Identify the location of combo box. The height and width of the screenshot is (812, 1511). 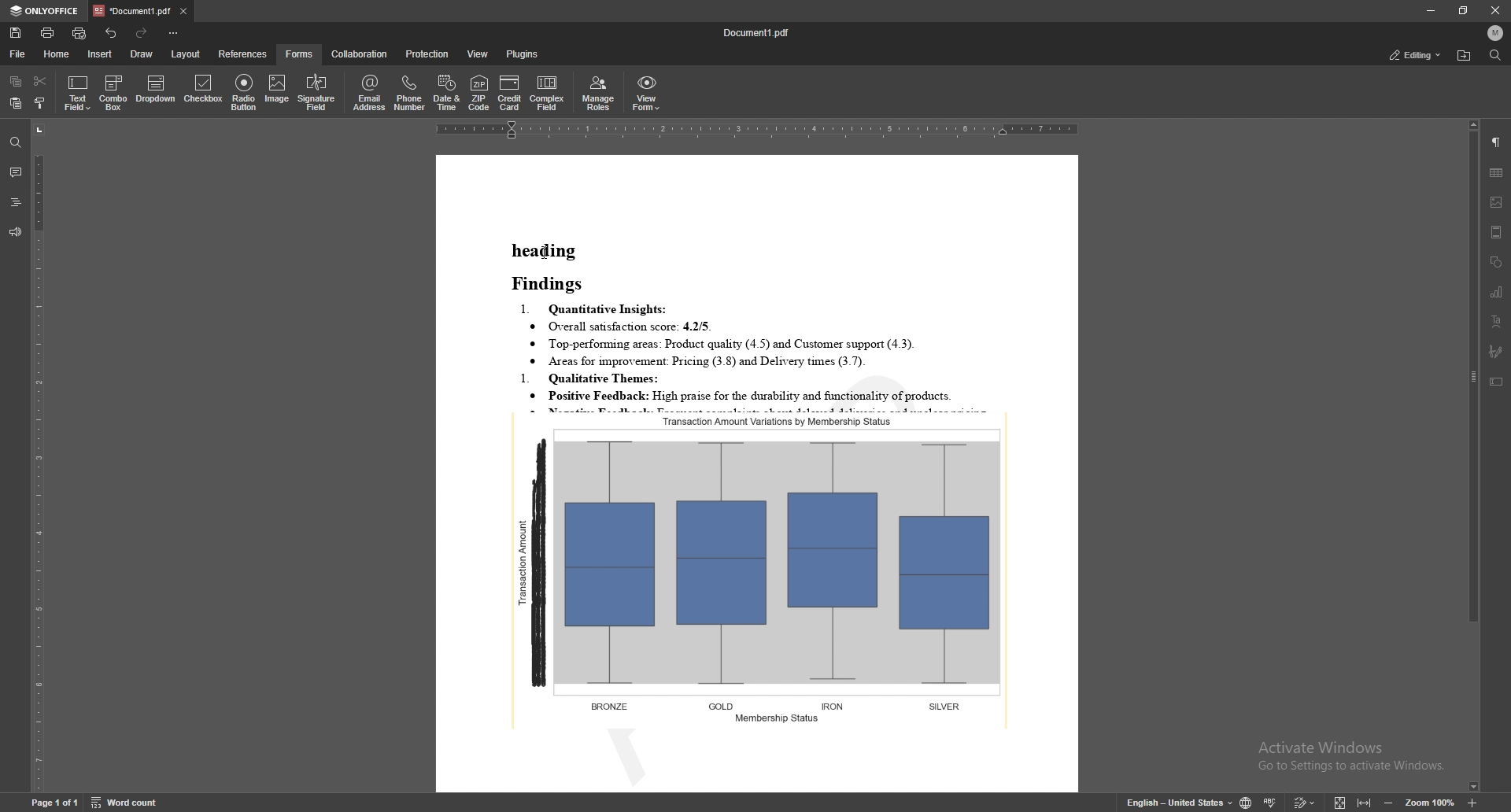
(115, 92).